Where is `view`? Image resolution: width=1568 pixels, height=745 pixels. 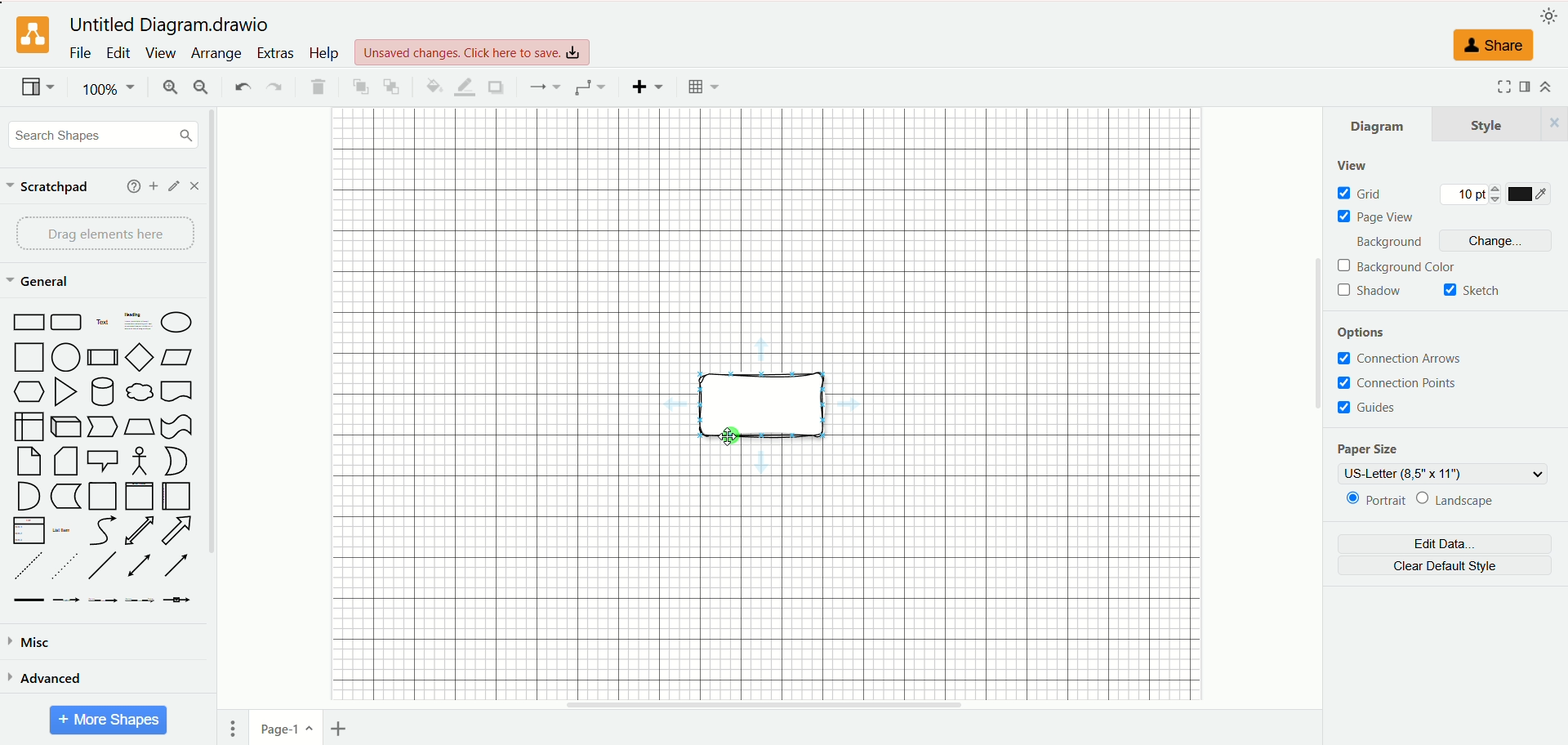 view is located at coordinates (1351, 165).